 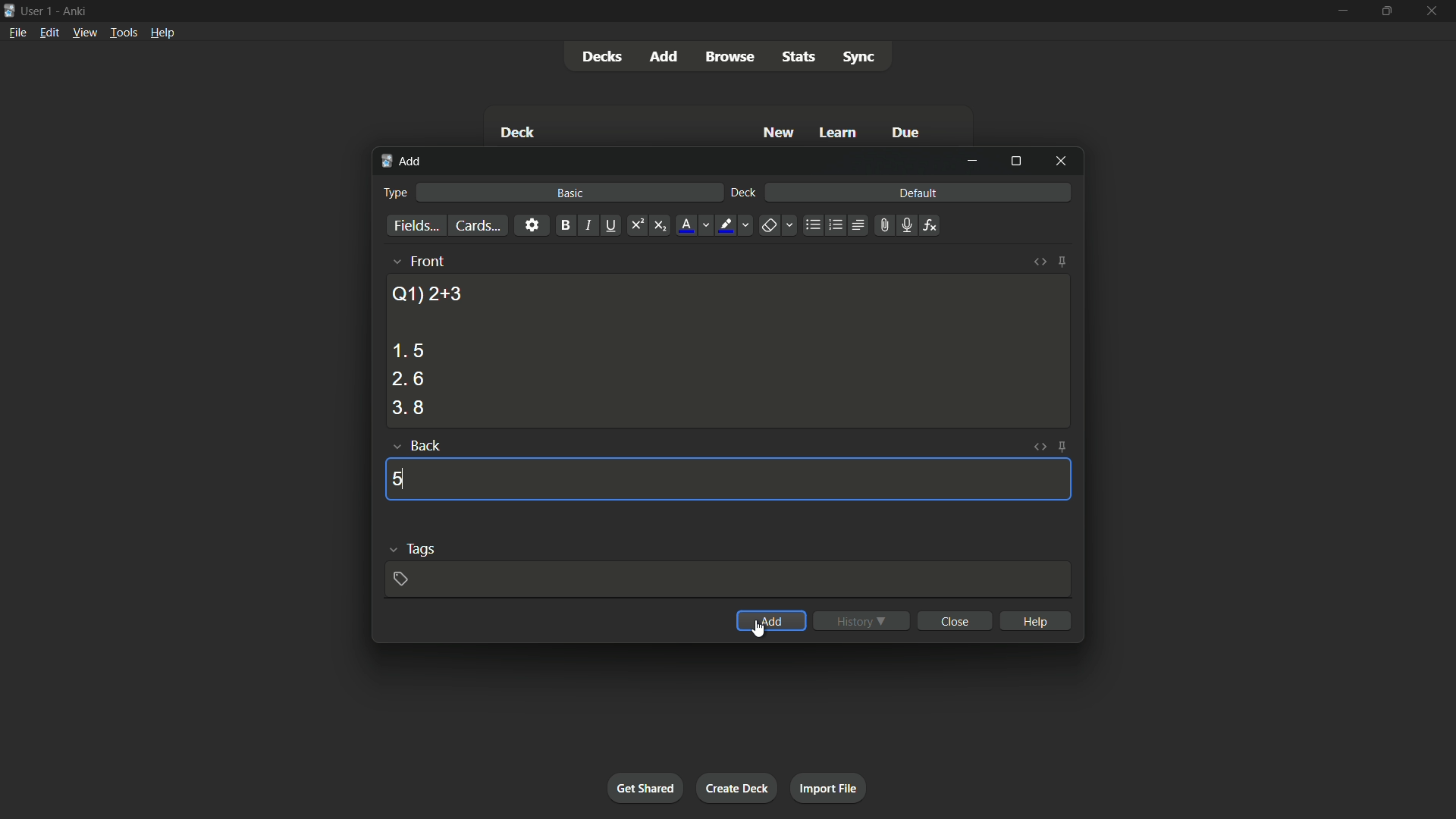 What do you see at coordinates (730, 57) in the screenshot?
I see `browse` at bounding box center [730, 57].